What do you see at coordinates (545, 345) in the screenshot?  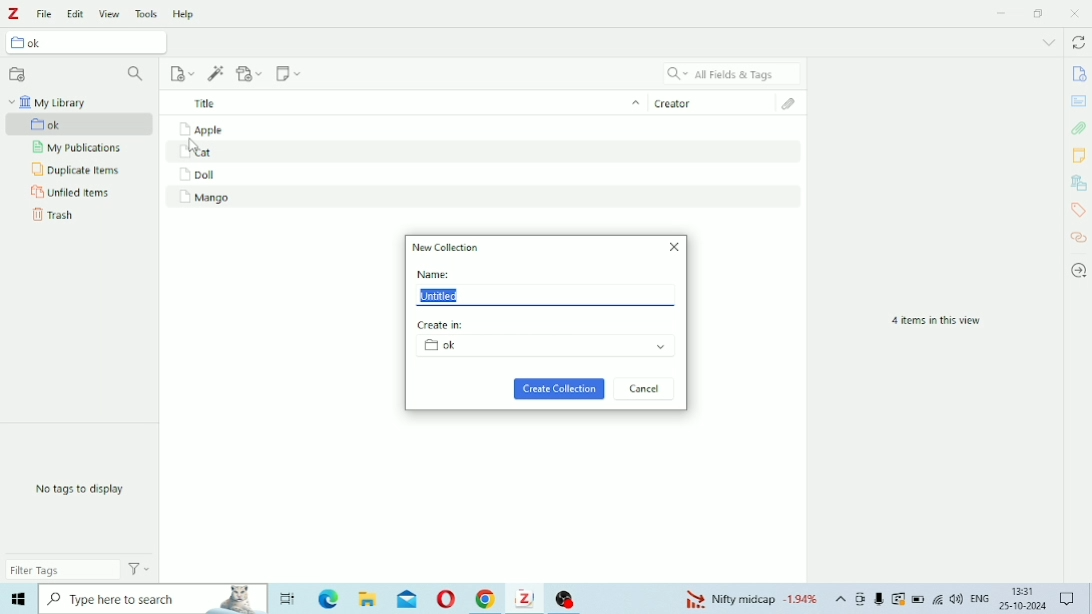 I see `ok` at bounding box center [545, 345].